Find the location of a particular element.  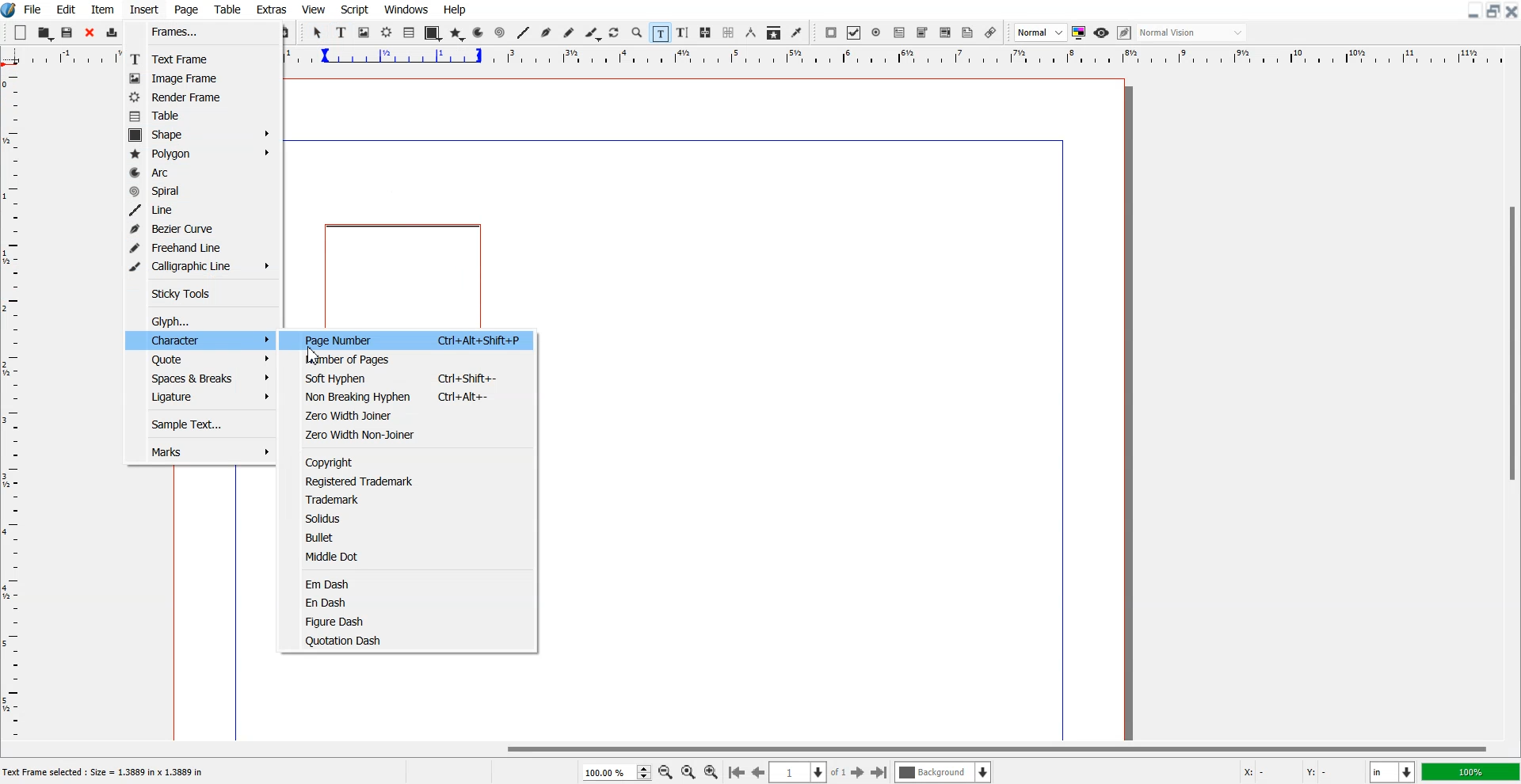

Zoom In is located at coordinates (711, 771).